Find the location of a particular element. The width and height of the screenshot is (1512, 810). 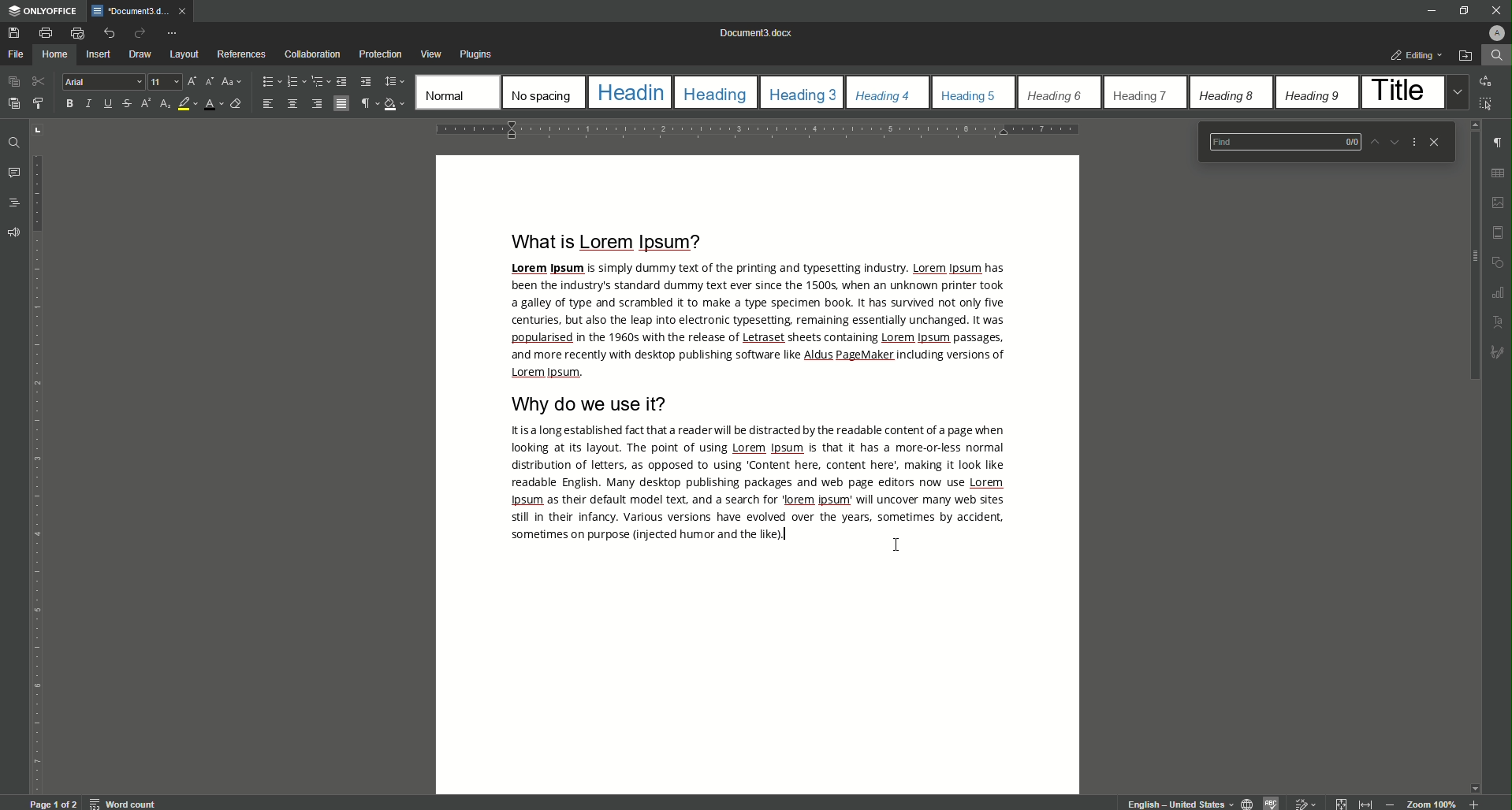

expand is located at coordinates (1364, 804).